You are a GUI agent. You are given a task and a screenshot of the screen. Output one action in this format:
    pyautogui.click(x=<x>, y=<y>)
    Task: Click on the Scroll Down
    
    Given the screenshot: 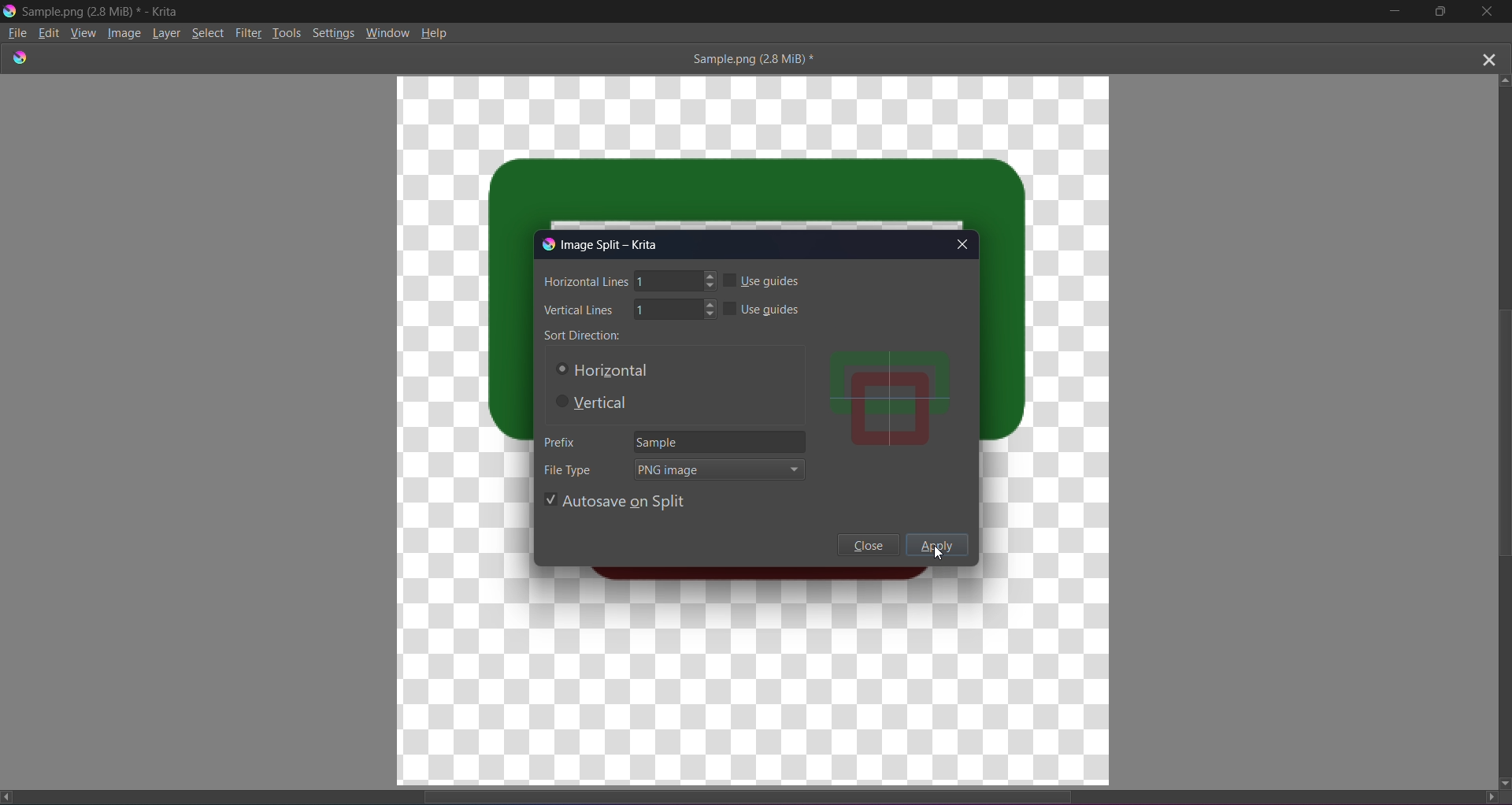 What is the action you would take?
    pyautogui.click(x=1503, y=782)
    